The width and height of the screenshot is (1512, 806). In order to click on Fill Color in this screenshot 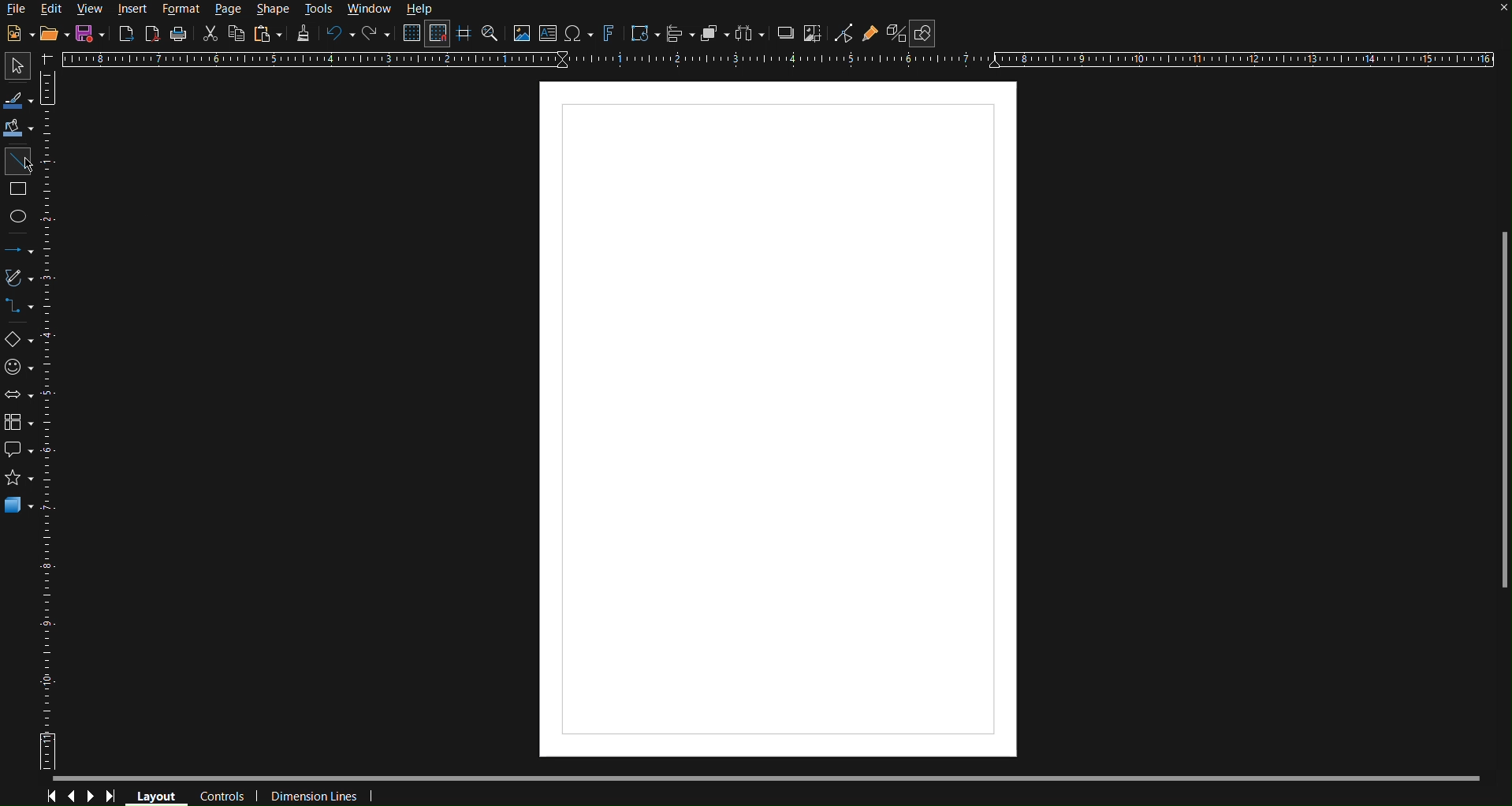, I will do `click(20, 129)`.